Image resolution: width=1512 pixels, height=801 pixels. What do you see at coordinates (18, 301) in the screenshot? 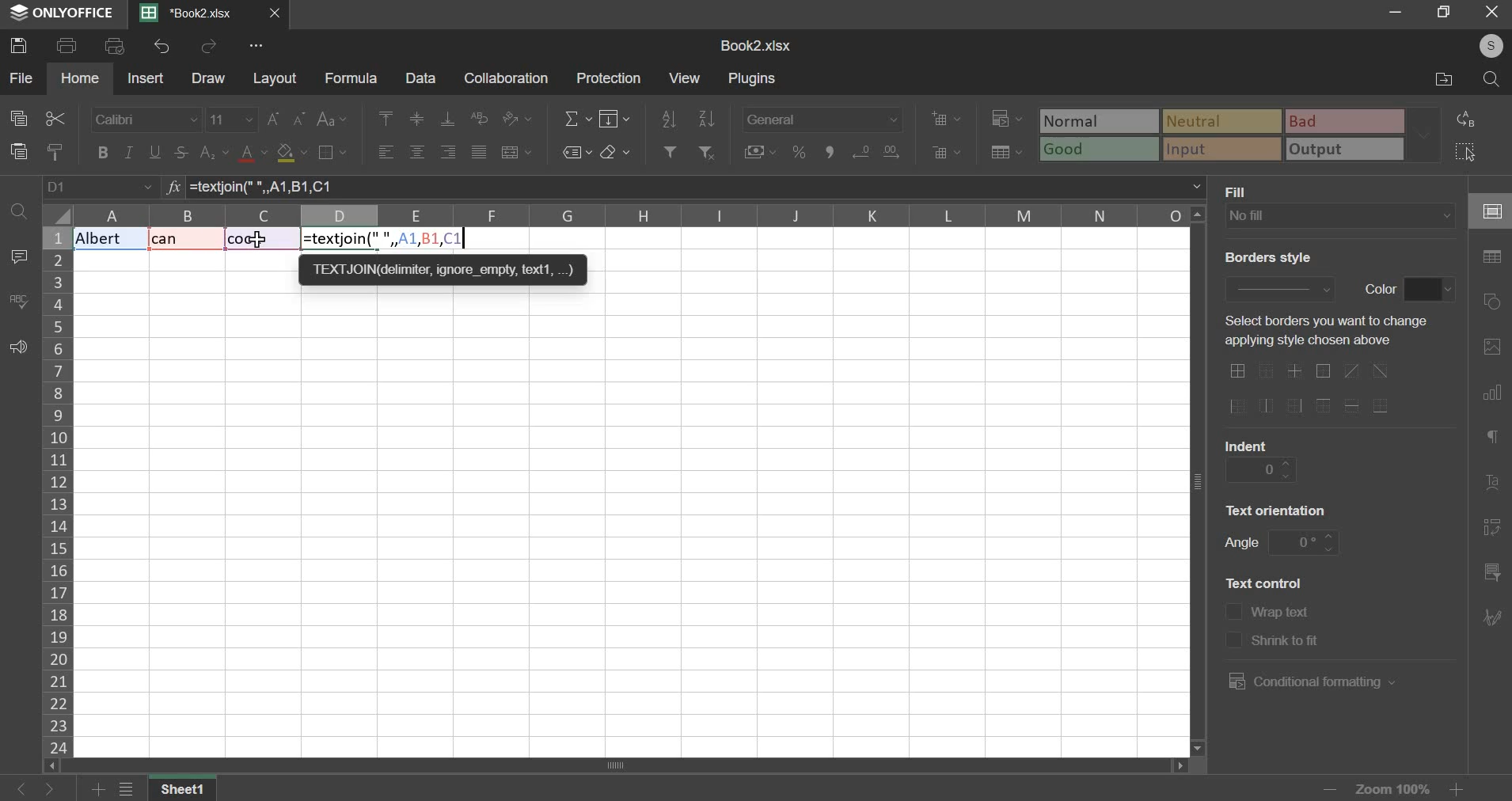
I see `spelling` at bounding box center [18, 301].